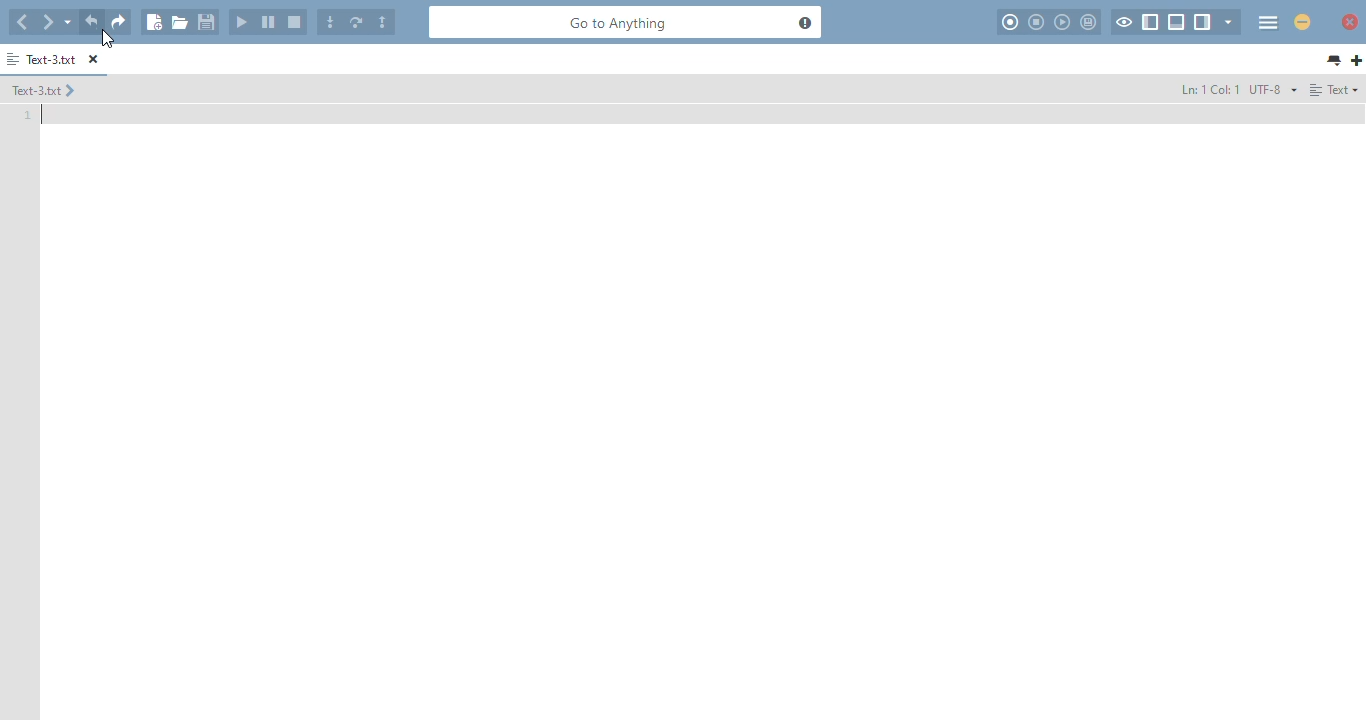 Image resolution: width=1366 pixels, height=720 pixels. I want to click on save macro to toolbox as userscript, so click(1089, 22).